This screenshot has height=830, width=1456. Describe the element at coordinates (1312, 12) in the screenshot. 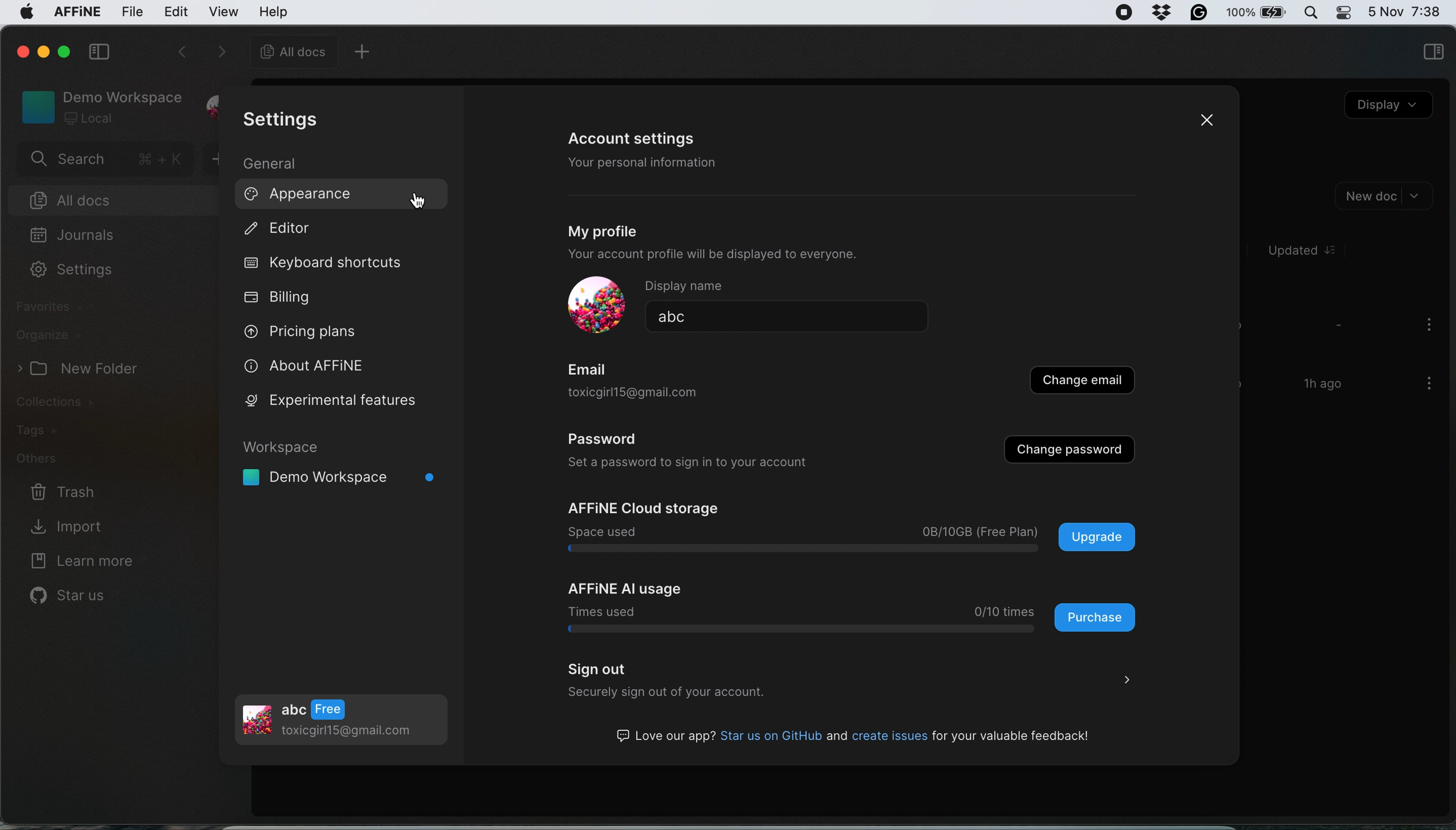

I see `spotlight search` at that location.